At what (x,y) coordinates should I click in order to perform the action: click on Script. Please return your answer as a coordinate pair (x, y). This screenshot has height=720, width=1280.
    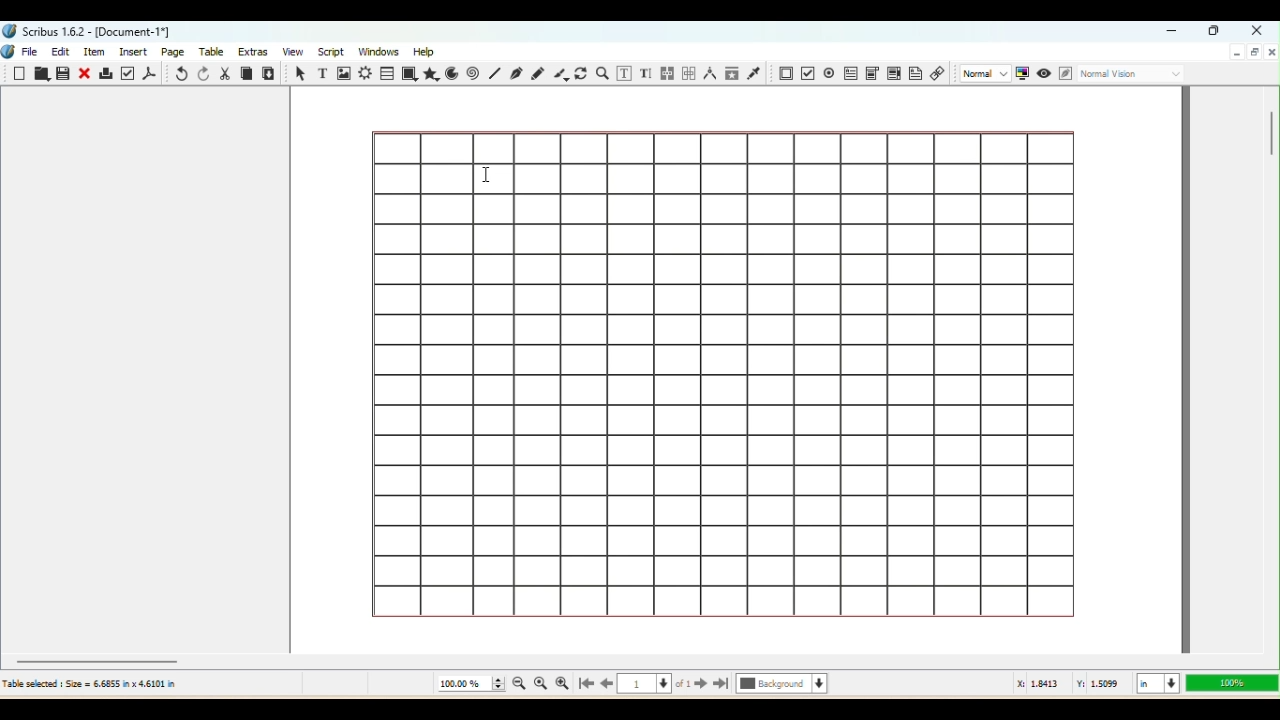
    Looking at the image, I should click on (330, 52).